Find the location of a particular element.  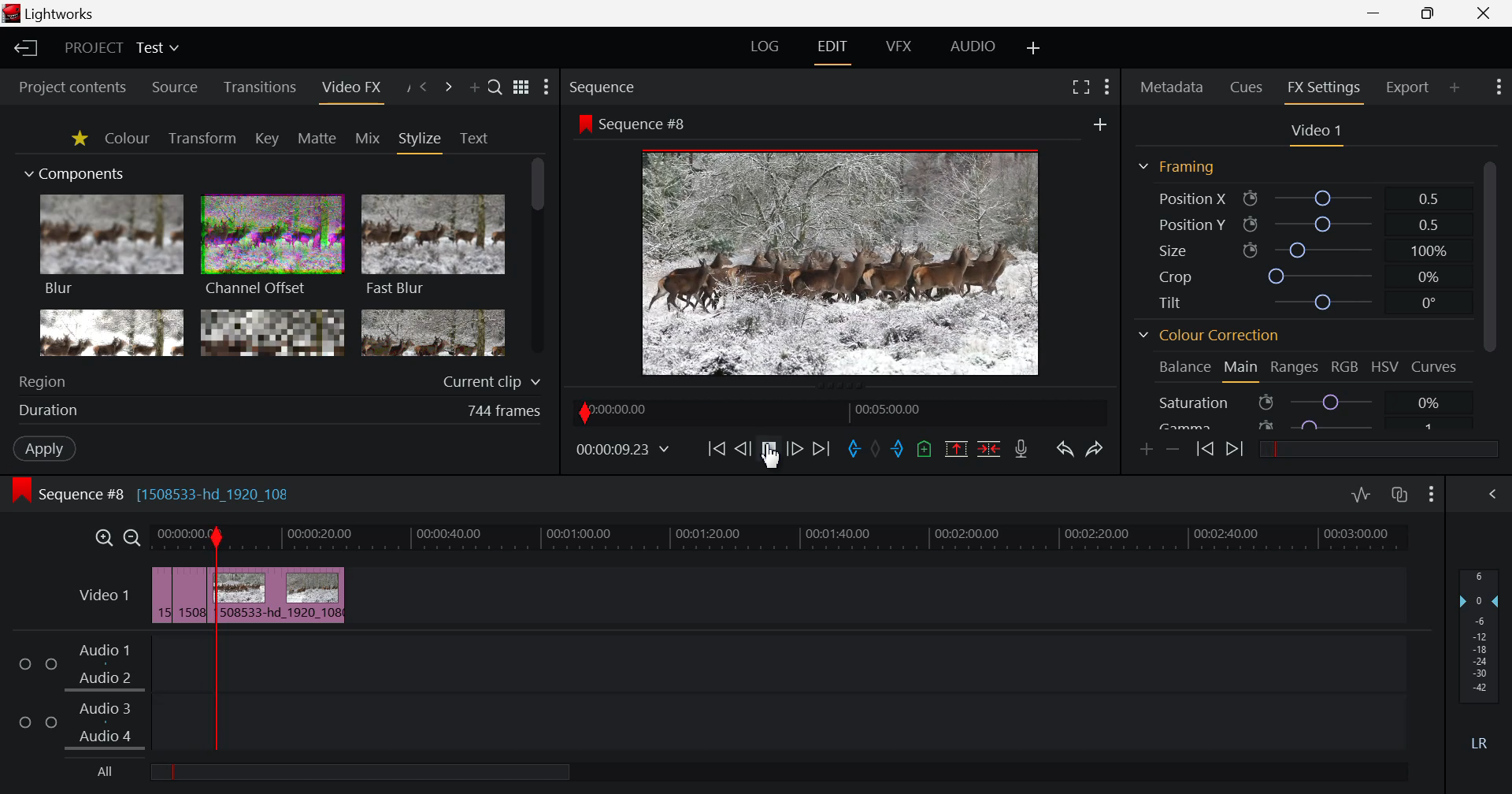

AUDIO Layout is located at coordinates (973, 46).